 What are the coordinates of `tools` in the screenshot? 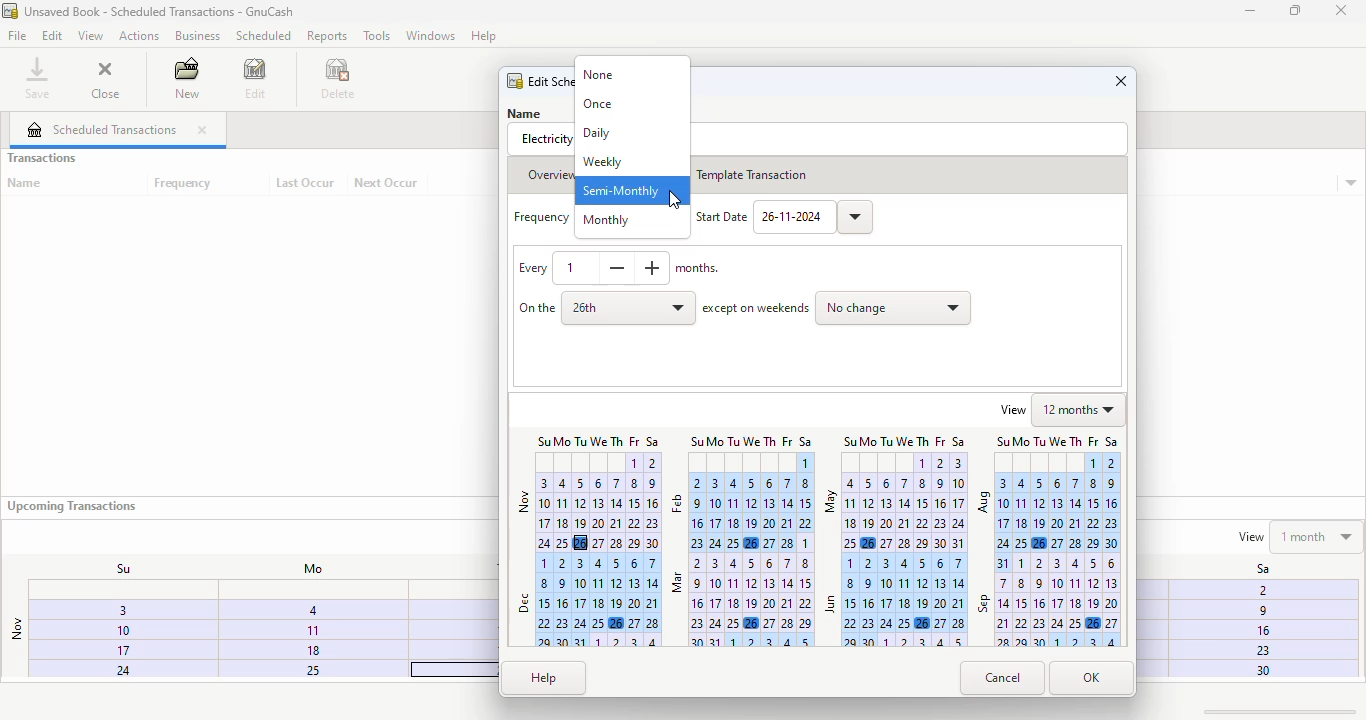 It's located at (377, 35).